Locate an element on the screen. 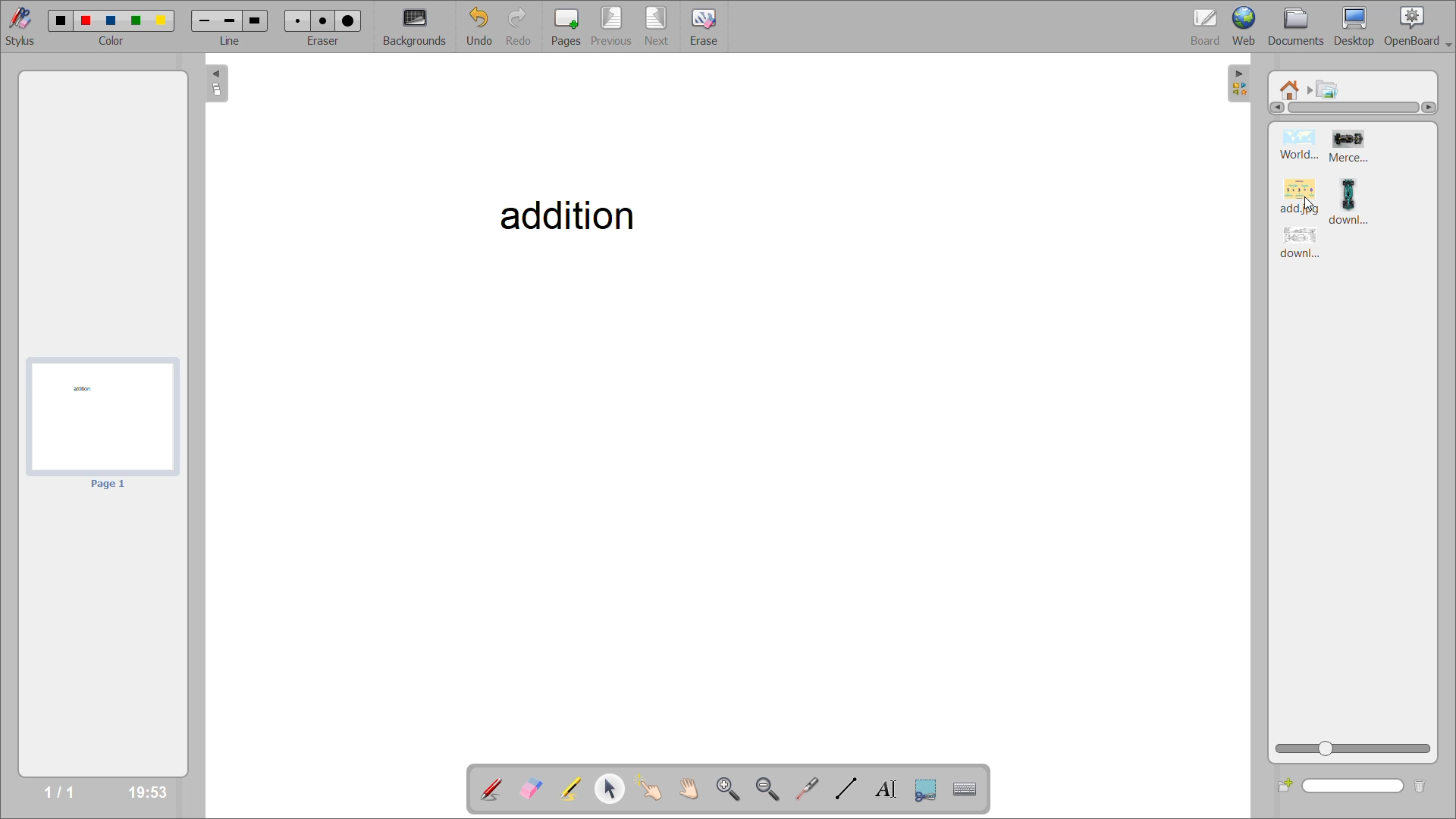 The image size is (1456, 819). page no/total pages is located at coordinates (59, 790).